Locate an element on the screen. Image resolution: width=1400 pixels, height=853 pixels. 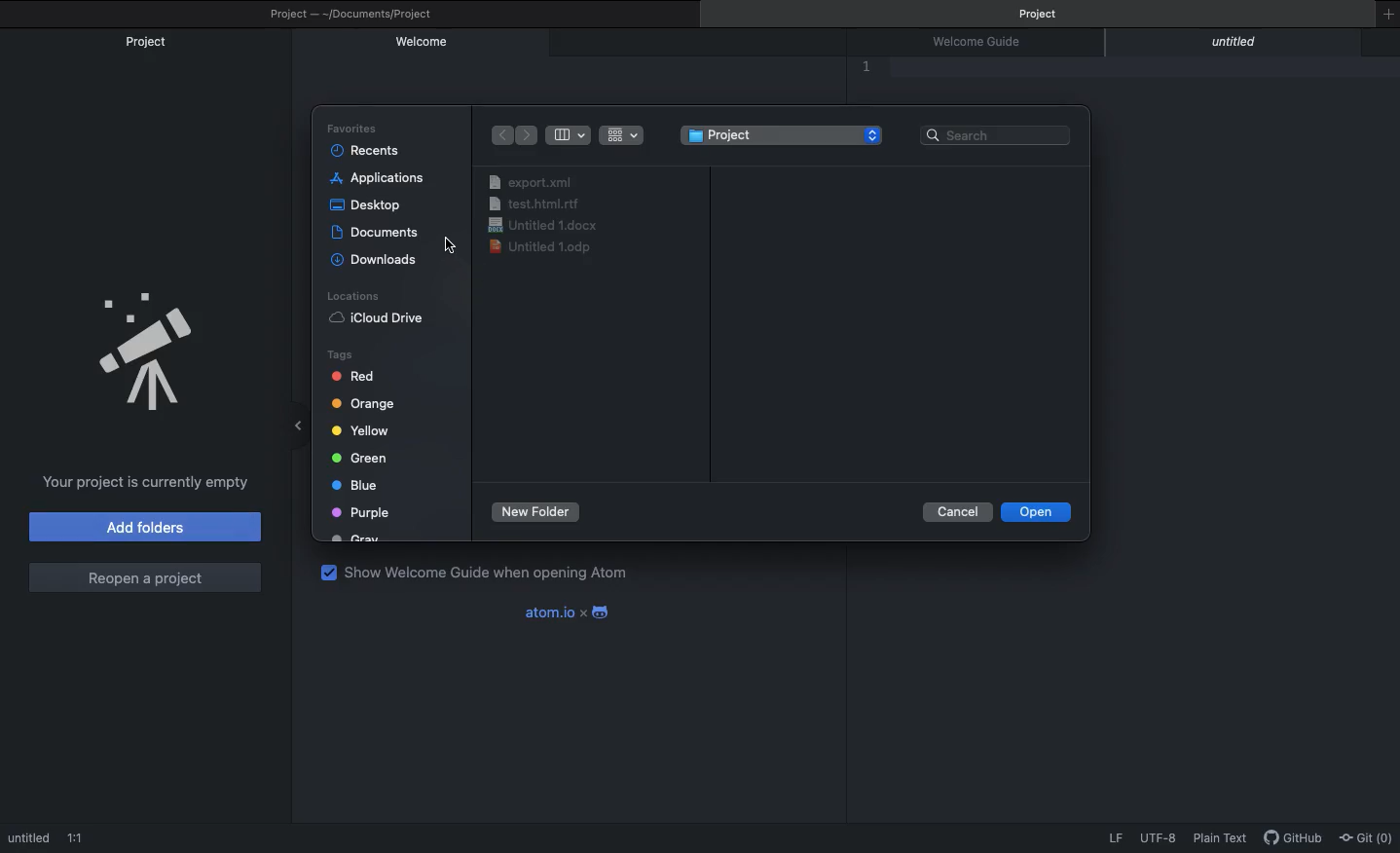
Back is located at coordinates (498, 136).